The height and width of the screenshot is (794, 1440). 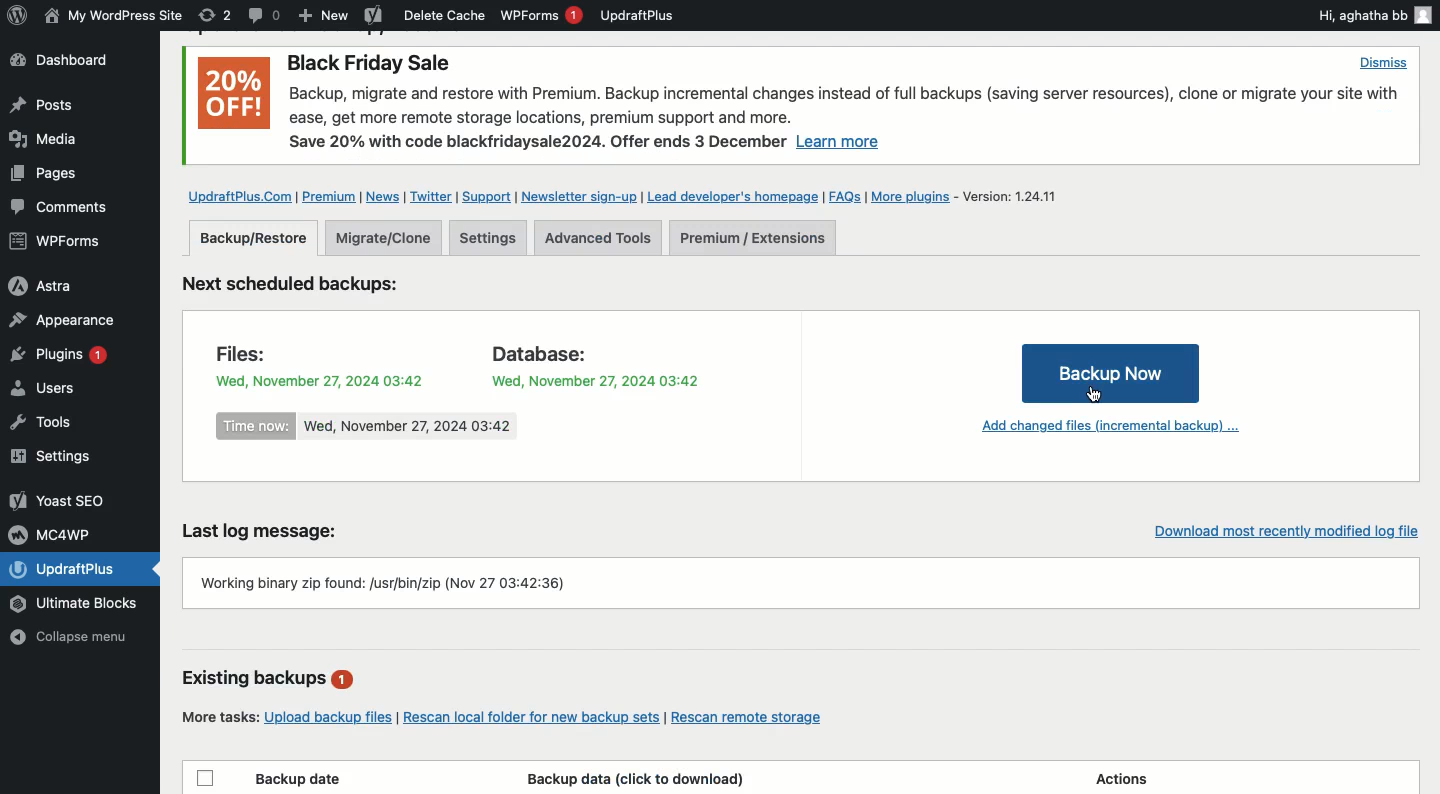 I want to click on Next scheduled backups:, so click(x=307, y=287).